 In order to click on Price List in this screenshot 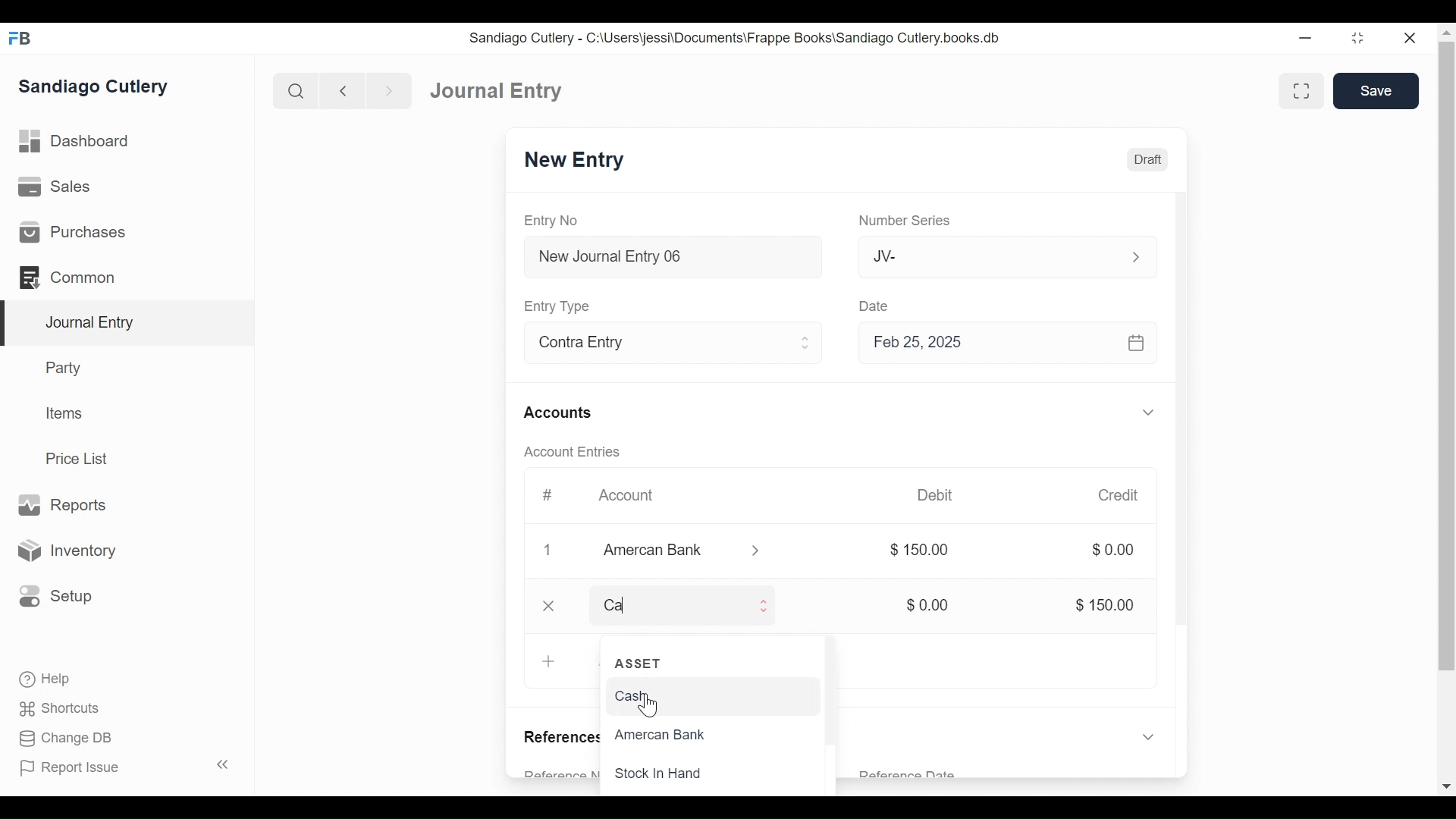, I will do `click(82, 459)`.